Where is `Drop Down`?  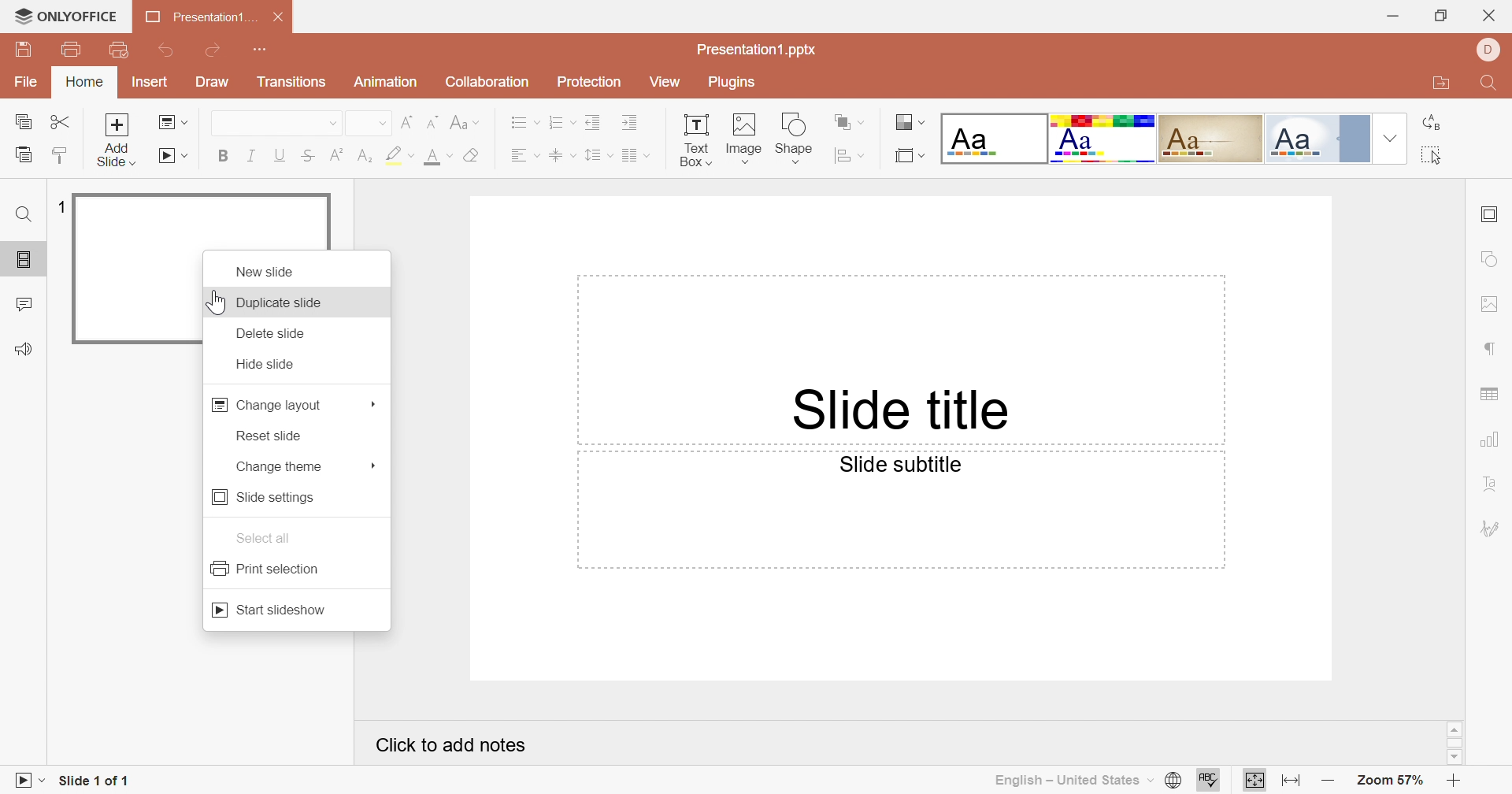 Drop Down is located at coordinates (328, 124).